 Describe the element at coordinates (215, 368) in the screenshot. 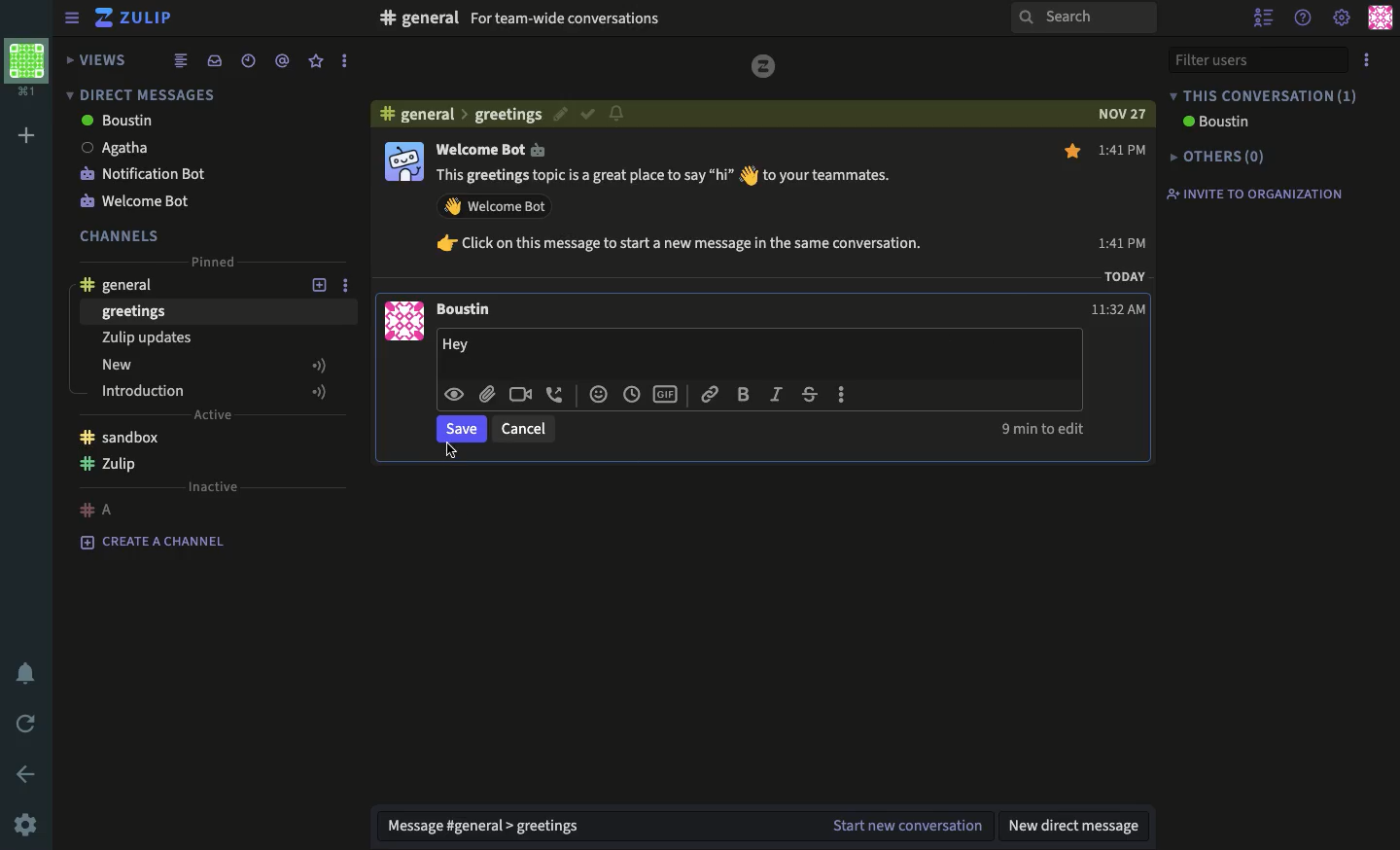

I see `new` at that location.